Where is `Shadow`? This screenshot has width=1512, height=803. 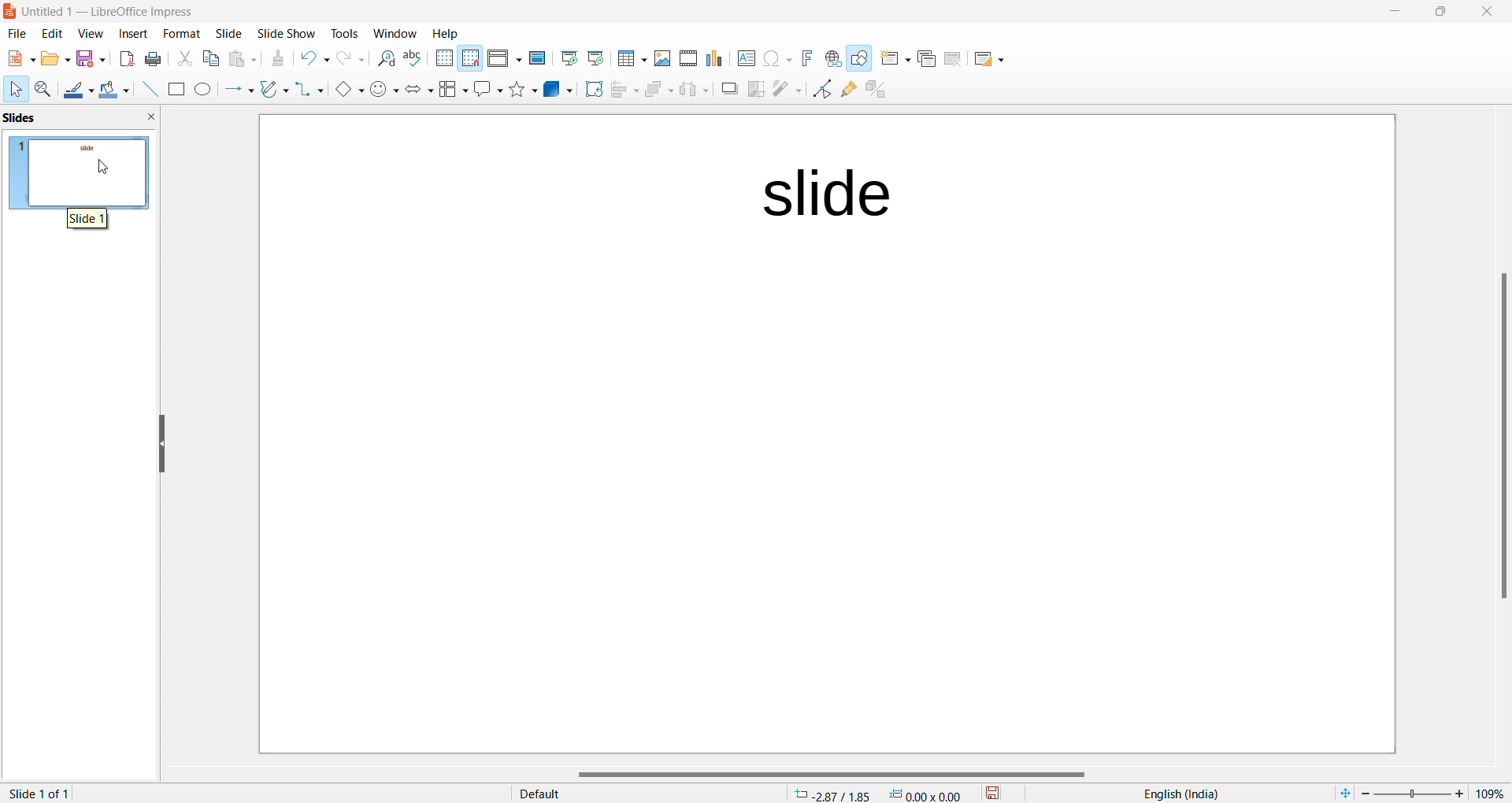 Shadow is located at coordinates (724, 90).